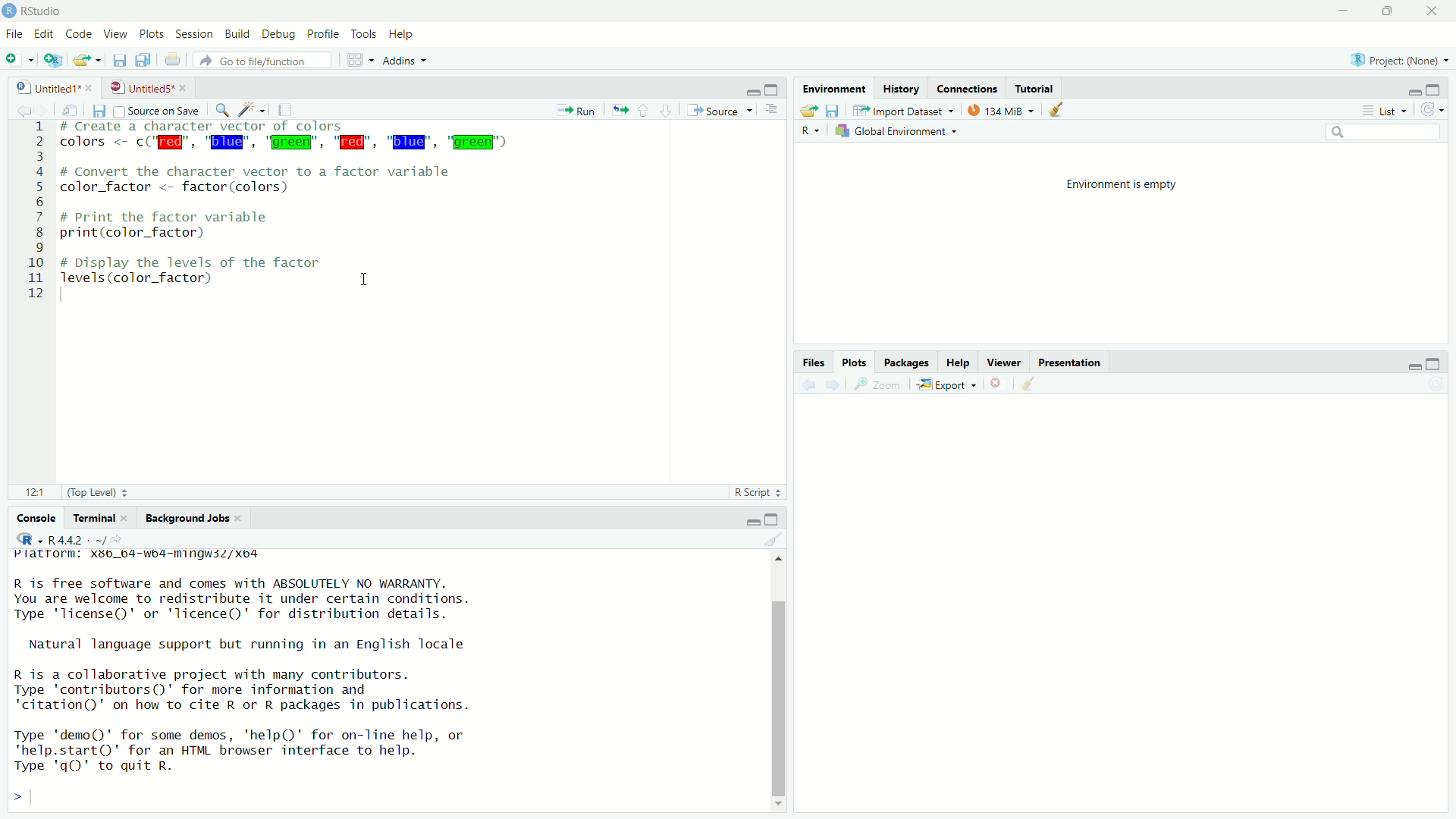 The width and height of the screenshot is (1456, 819). Describe the element at coordinates (88, 60) in the screenshot. I see `open an existing file` at that location.